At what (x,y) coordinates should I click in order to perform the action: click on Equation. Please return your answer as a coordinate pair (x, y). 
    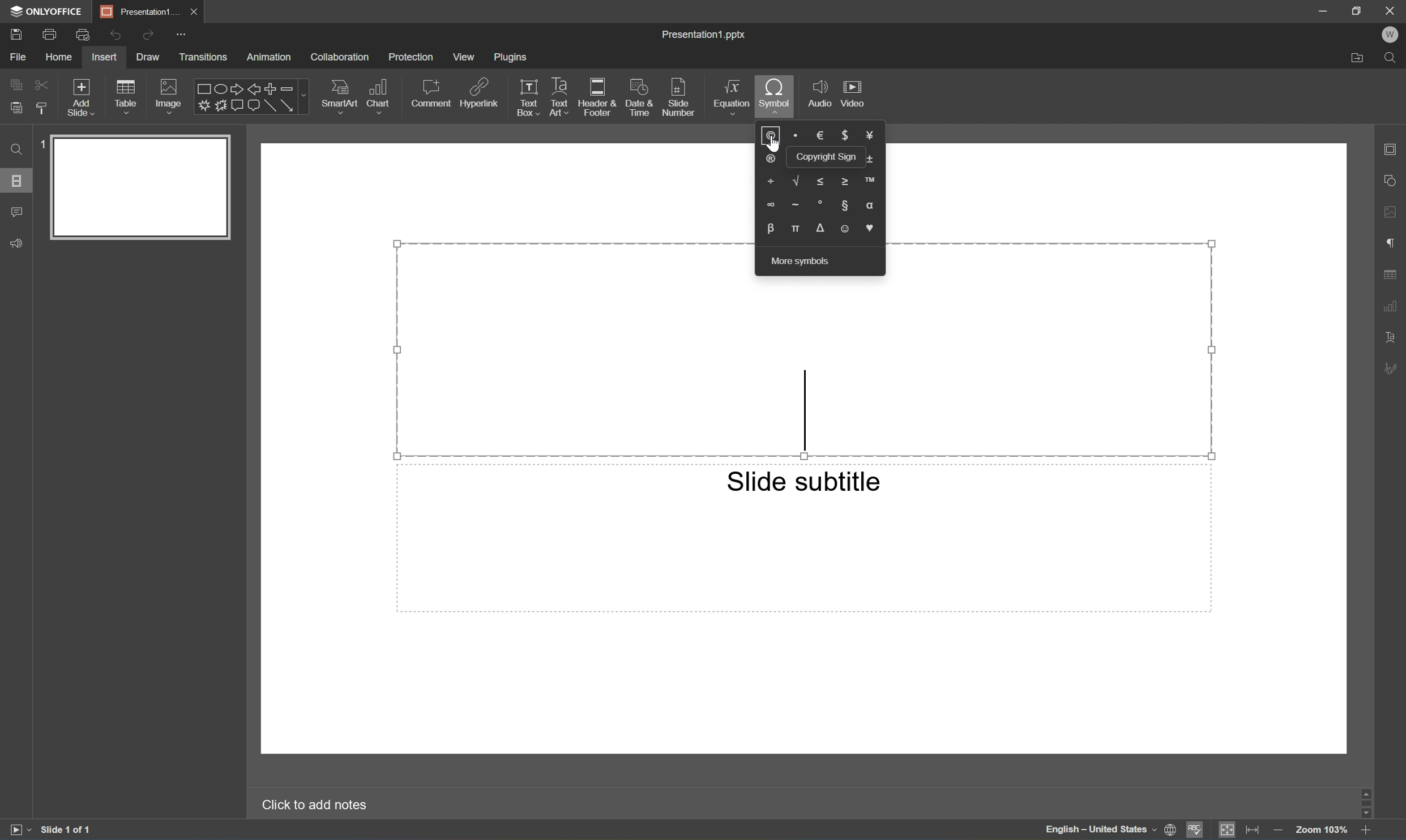
    Looking at the image, I should click on (730, 98).